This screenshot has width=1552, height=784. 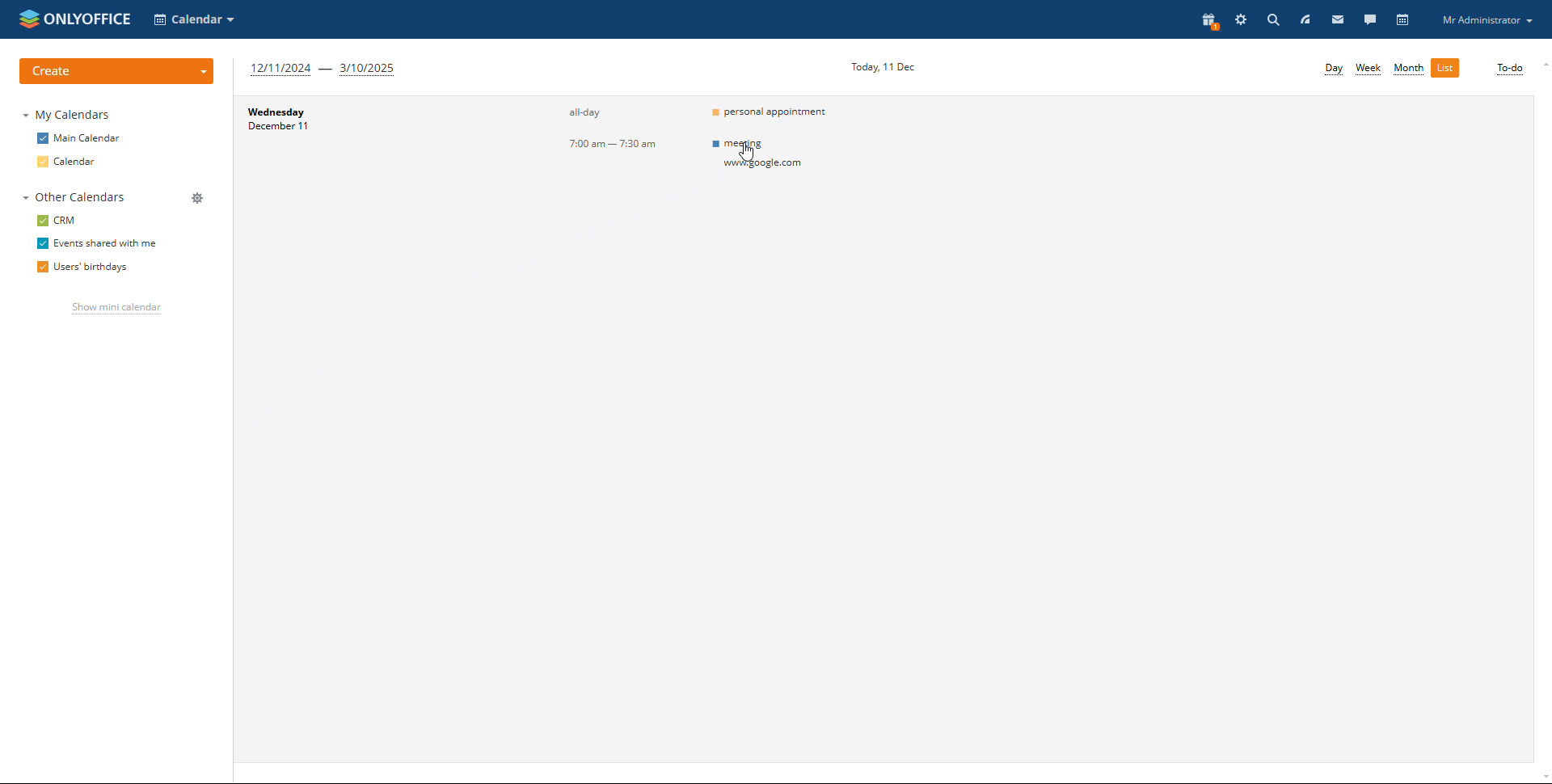 What do you see at coordinates (74, 196) in the screenshot?
I see `other calendar` at bounding box center [74, 196].